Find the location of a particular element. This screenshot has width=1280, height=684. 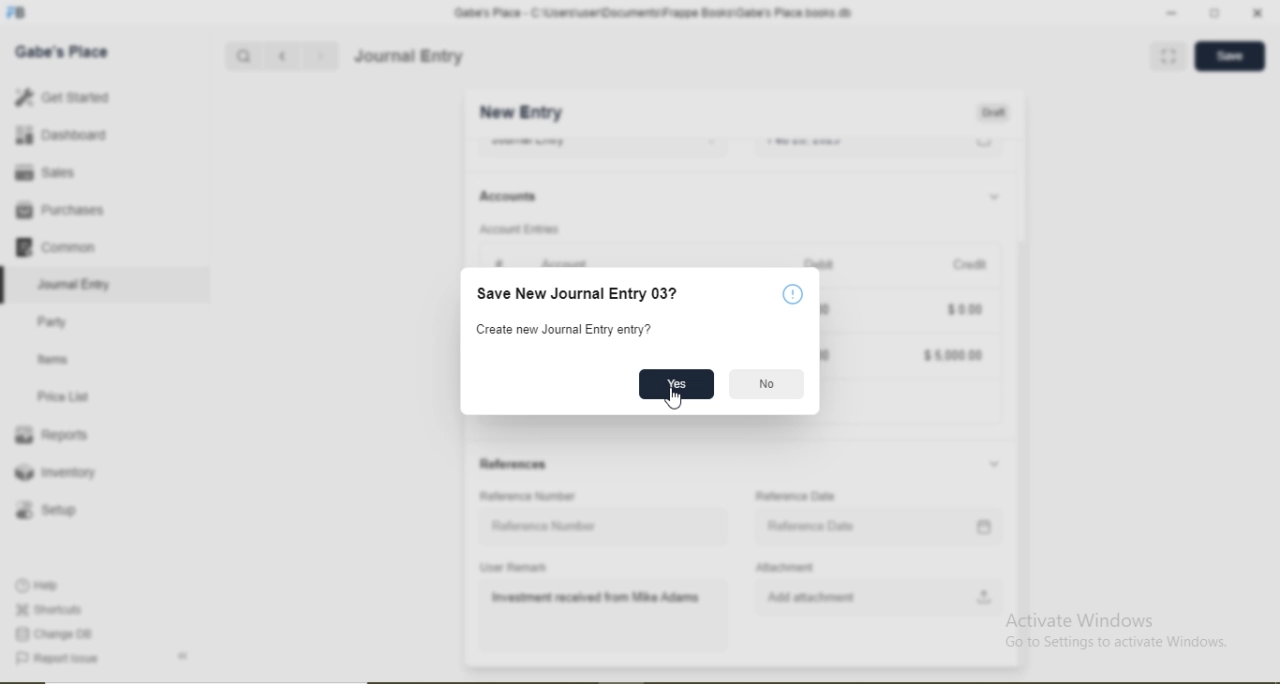

Reference Number is located at coordinates (527, 496).